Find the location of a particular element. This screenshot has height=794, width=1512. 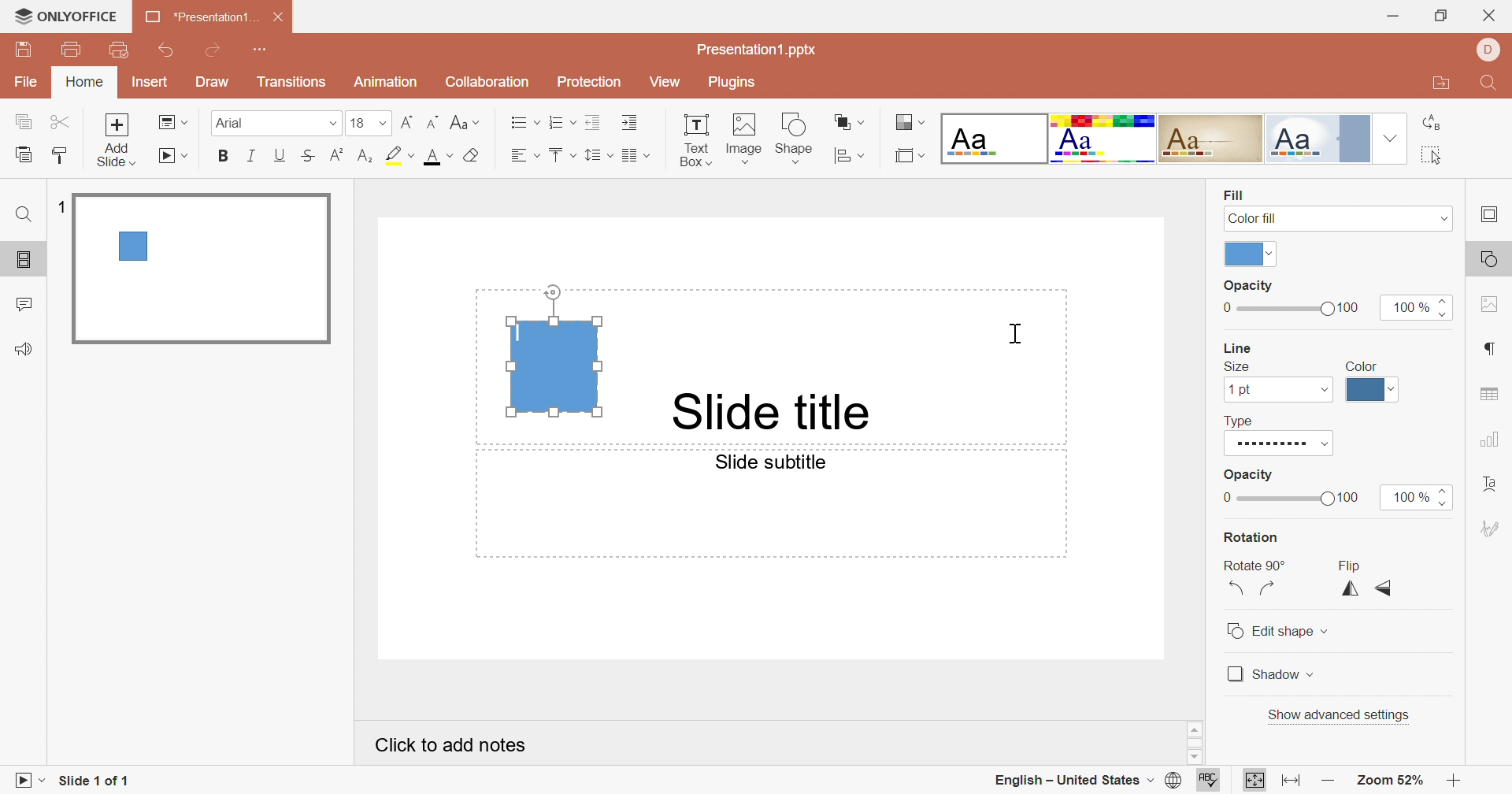

Restore Down is located at coordinates (1442, 15).